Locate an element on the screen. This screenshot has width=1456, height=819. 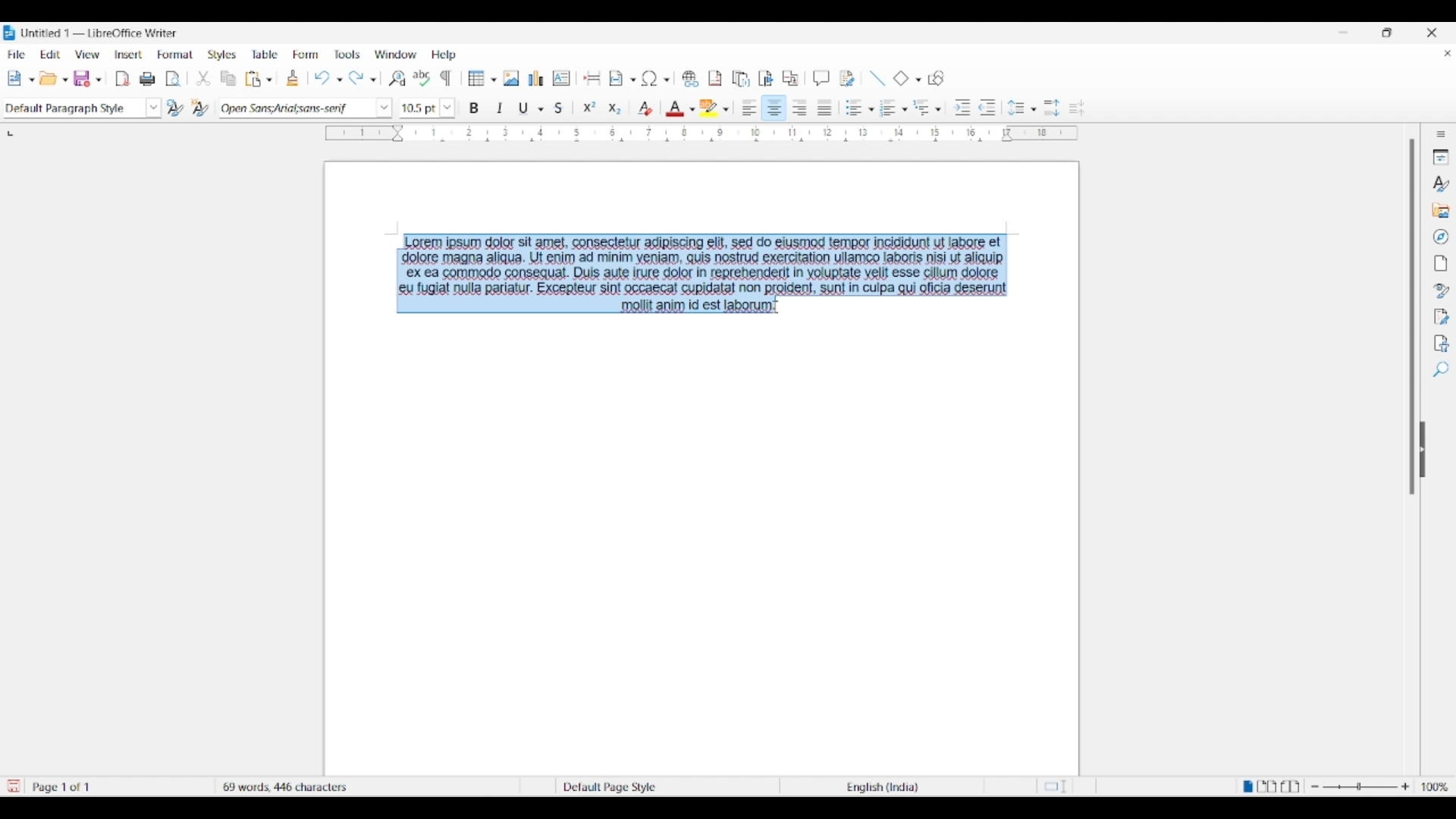
Show track changes functions is located at coordinates (848, 79).